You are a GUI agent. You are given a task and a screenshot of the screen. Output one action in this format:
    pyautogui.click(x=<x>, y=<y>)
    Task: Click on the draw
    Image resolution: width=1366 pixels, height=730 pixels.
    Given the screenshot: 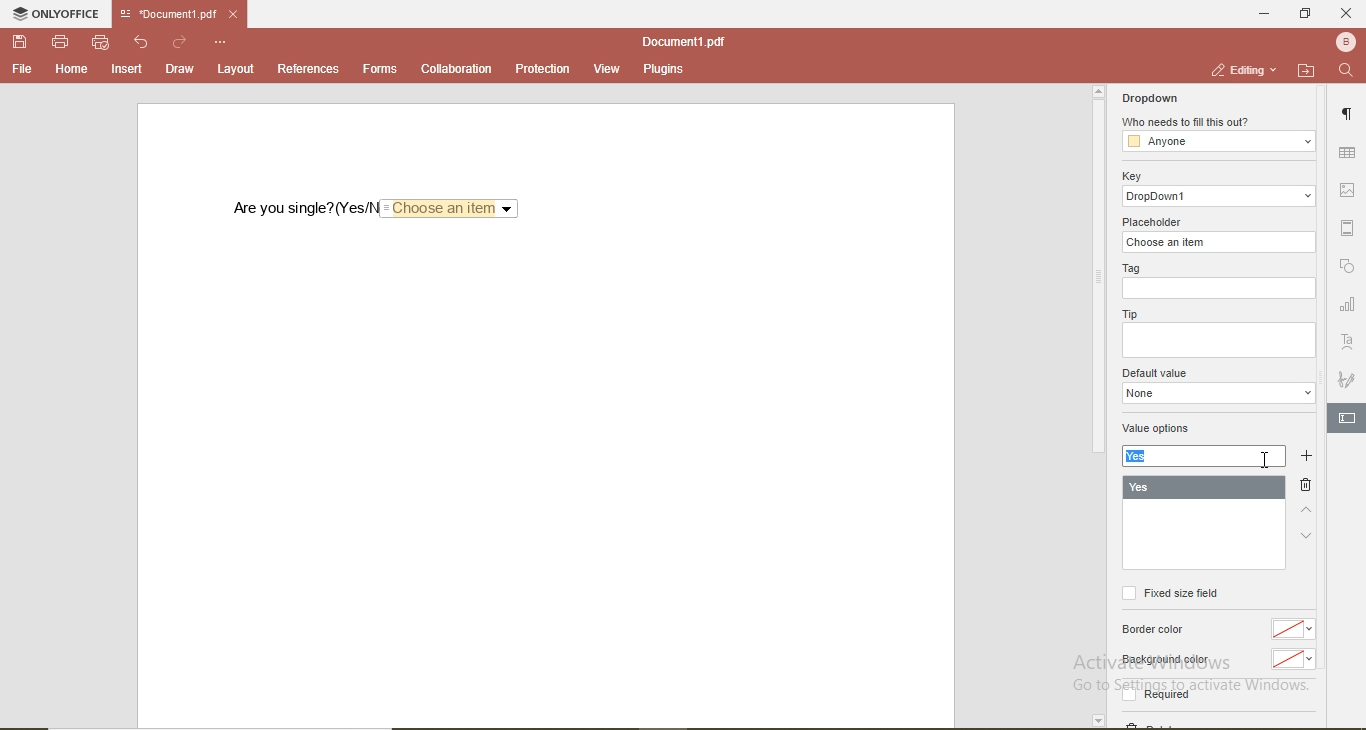 What is the action you would take?
    pyautogui.click(x=179, y=69)
    